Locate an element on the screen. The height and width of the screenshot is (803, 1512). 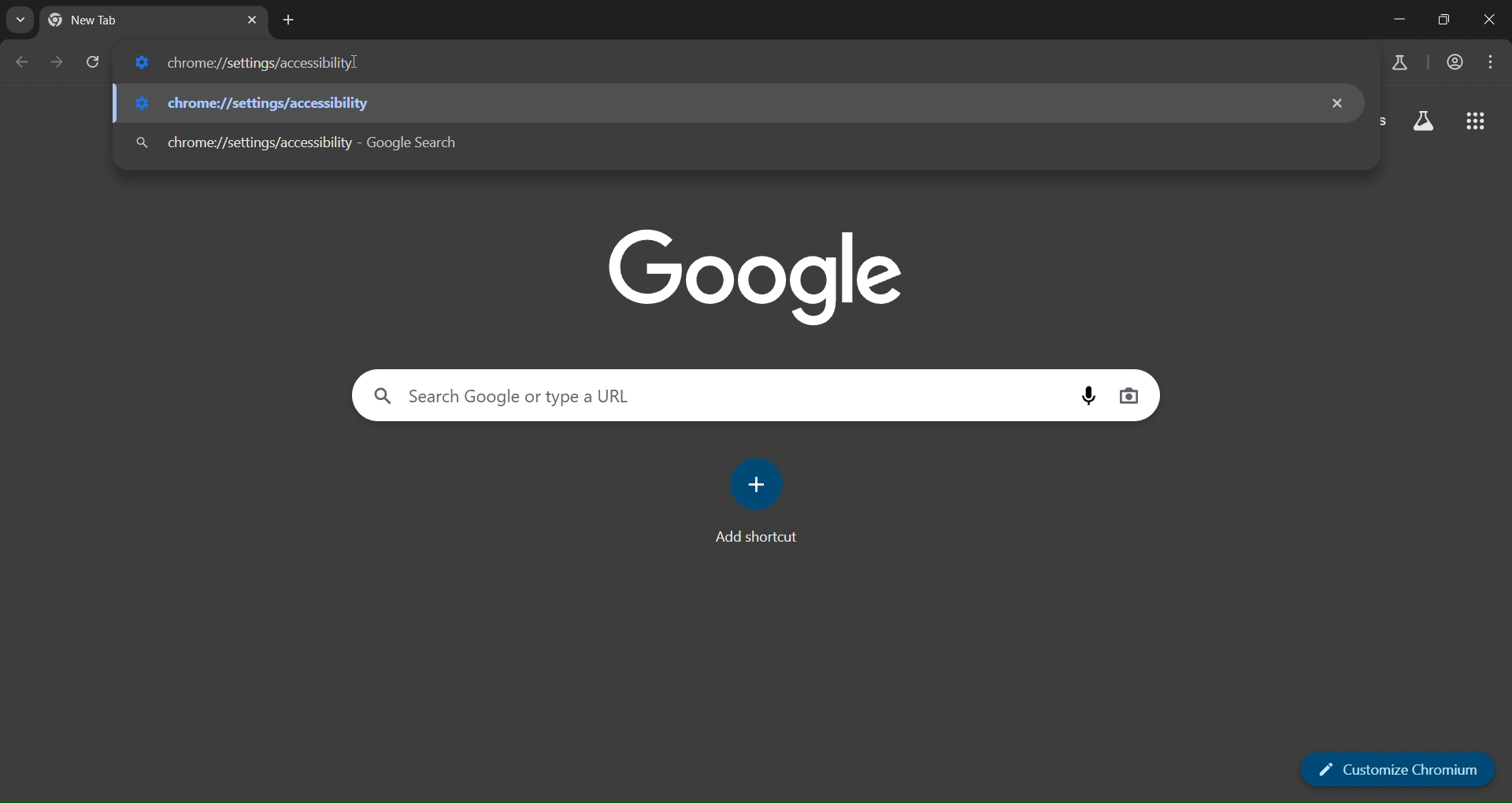
cursor is located at coordinates (357, 59).